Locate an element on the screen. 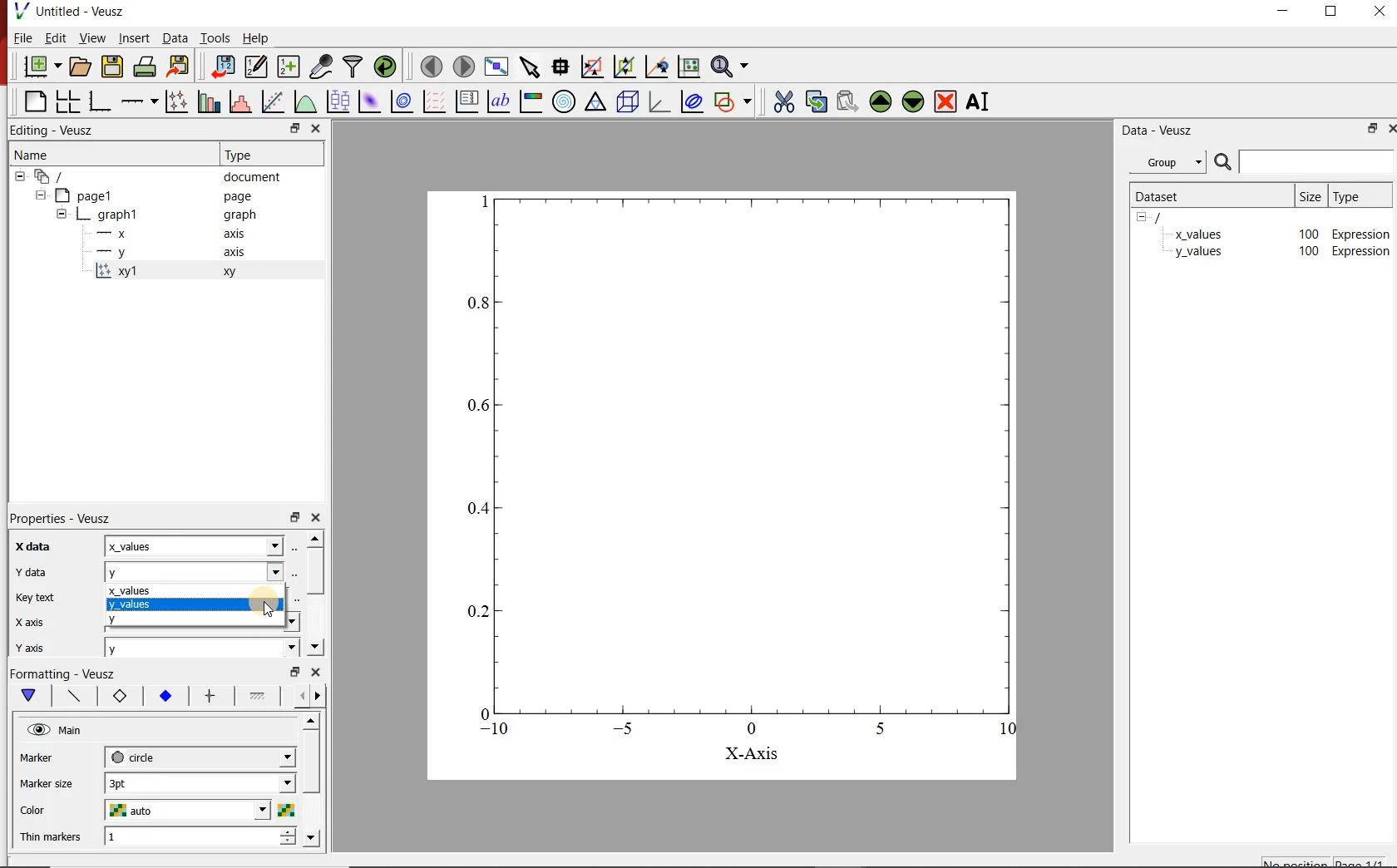  cut the selected widget is located at coordinates (785, 103).